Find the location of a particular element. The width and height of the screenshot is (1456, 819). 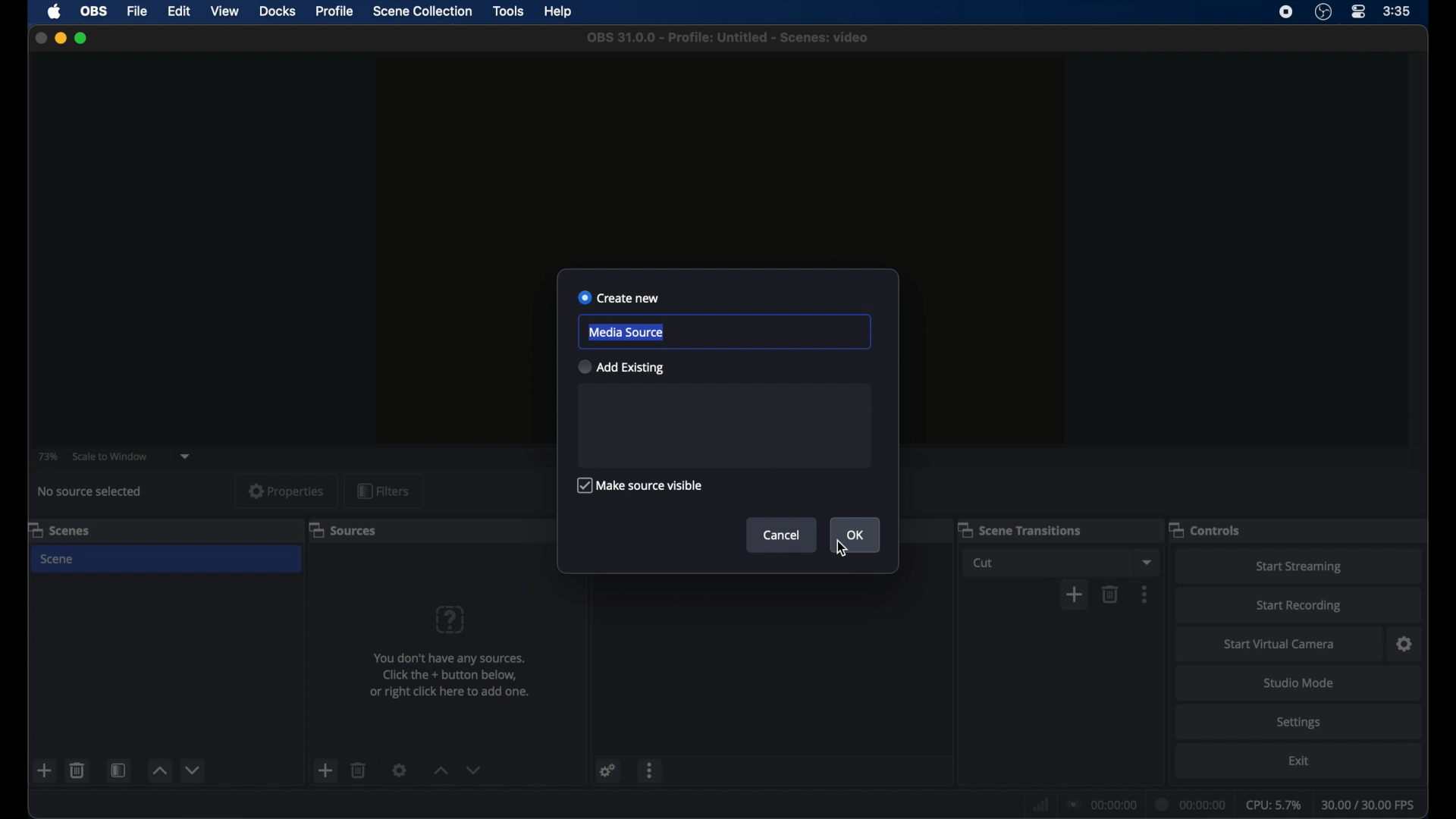

settings is located at coordinates (400, 770).